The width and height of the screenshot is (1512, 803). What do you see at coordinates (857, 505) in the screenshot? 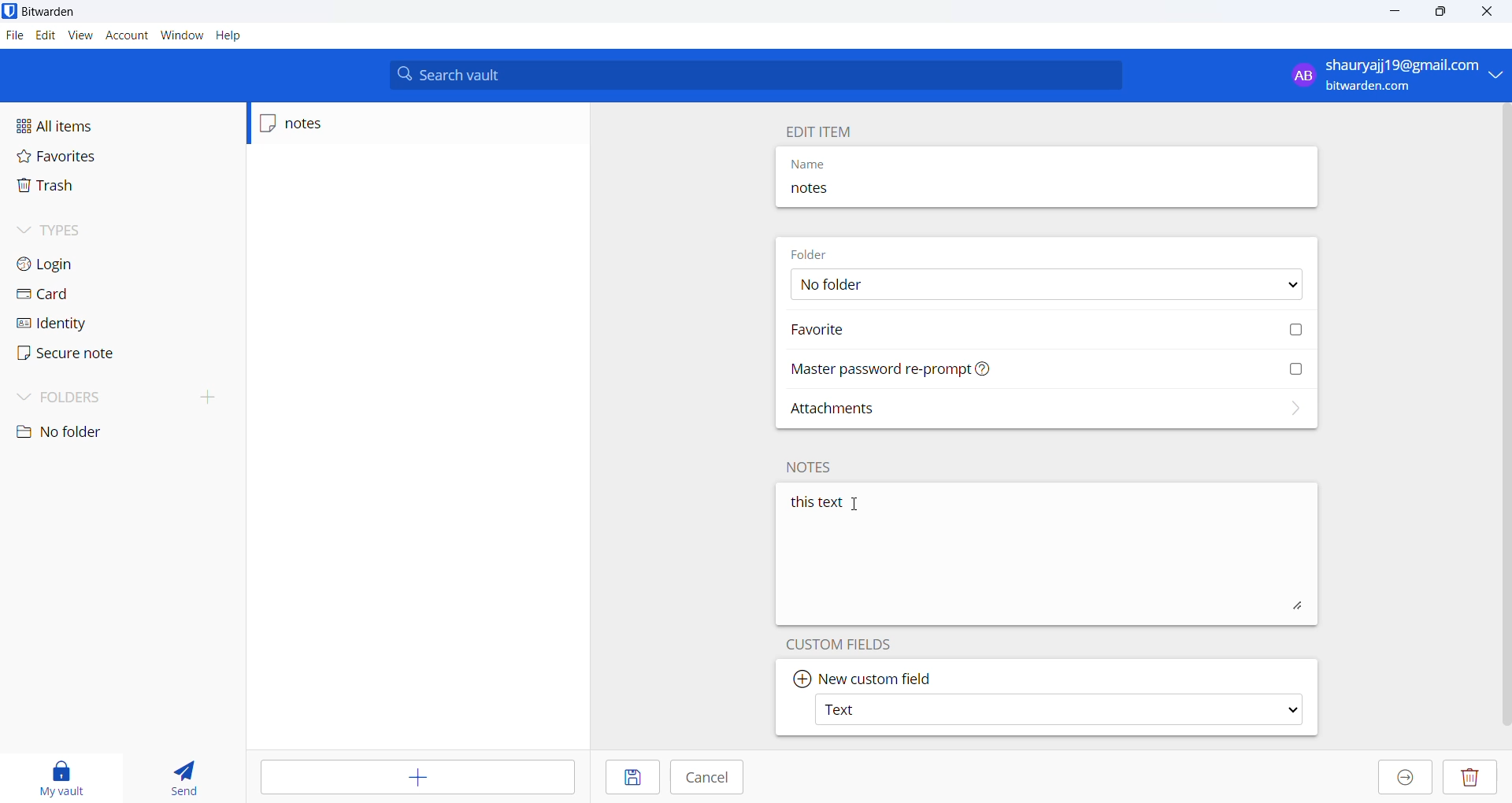
I see `cursor` at bounding box center [857, 505].